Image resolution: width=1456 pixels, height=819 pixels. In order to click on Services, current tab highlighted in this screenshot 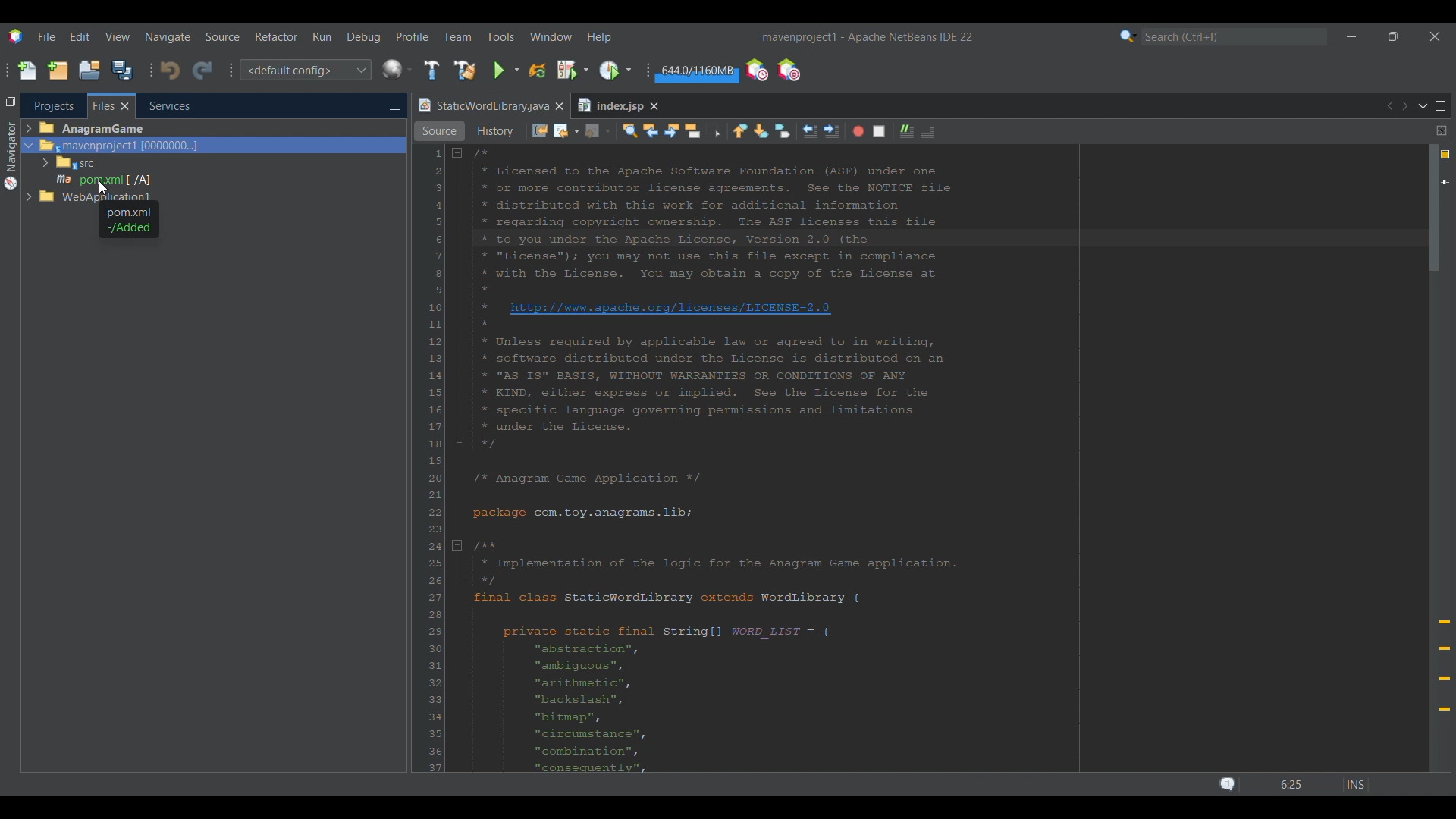, I will do `click(162, 105)`.